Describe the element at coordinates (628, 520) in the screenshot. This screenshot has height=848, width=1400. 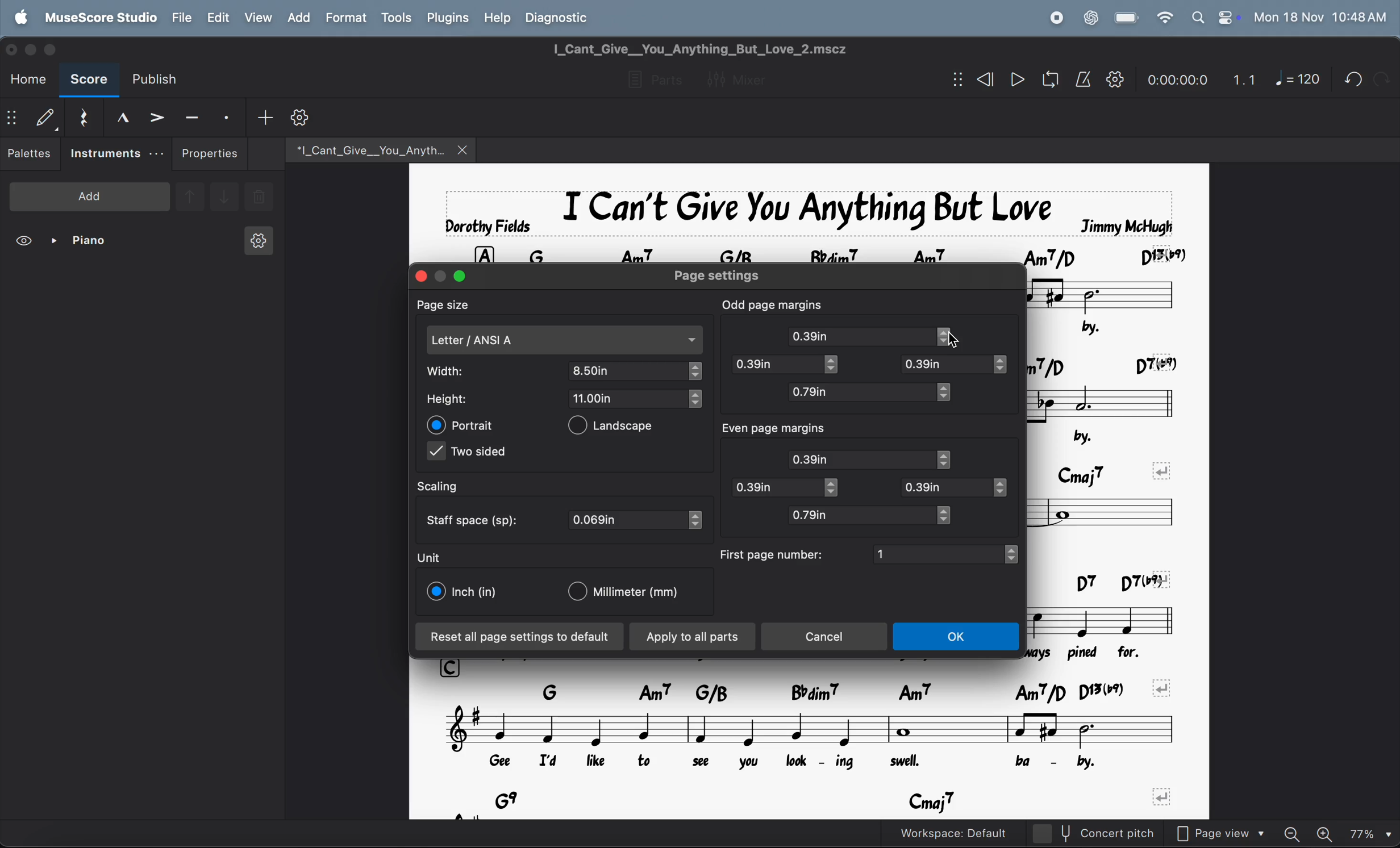
I see `0.069` at that location.